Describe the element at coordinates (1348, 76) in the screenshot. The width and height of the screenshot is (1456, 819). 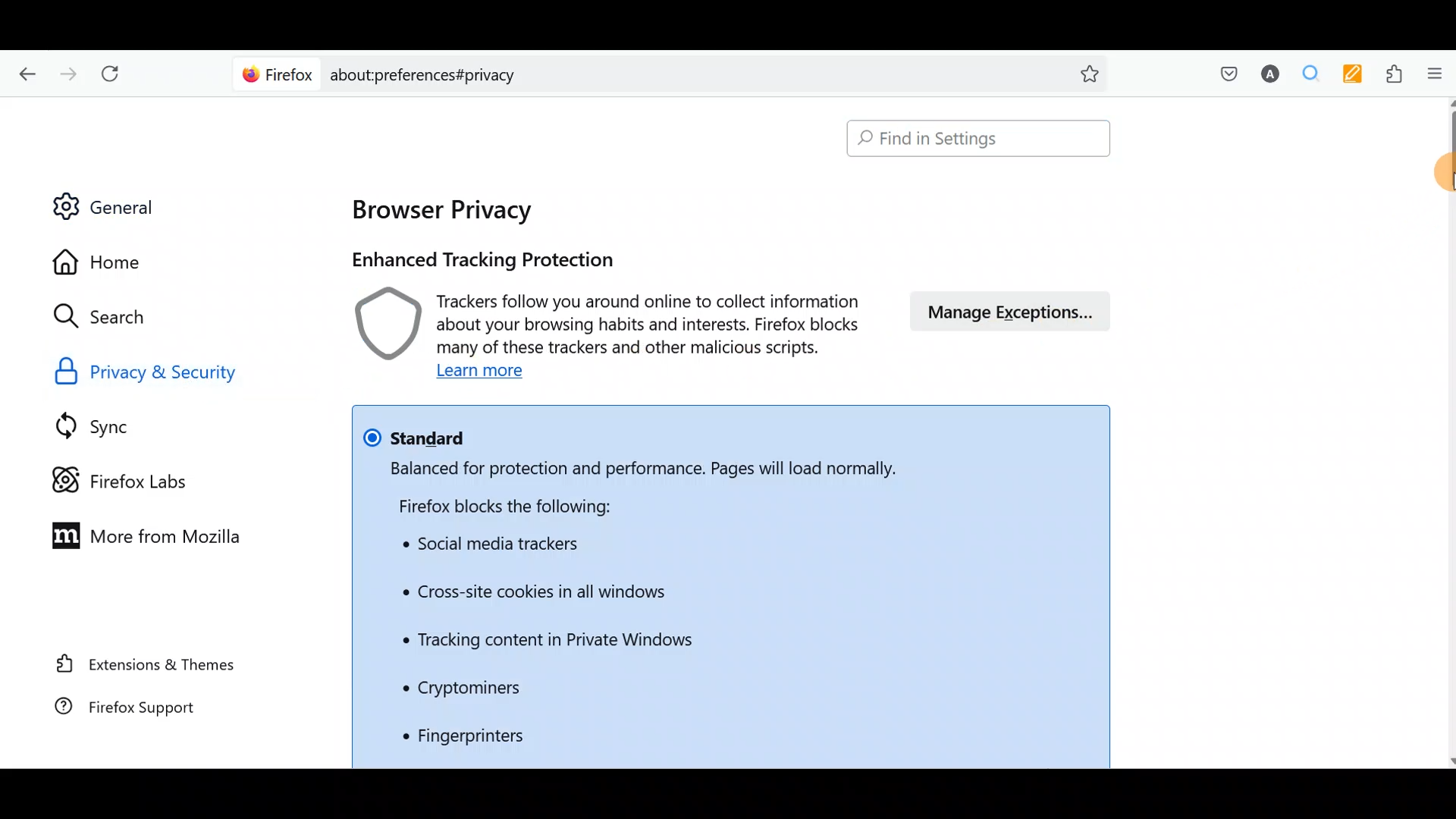
I see `Multi keywords highlighter` at that location.